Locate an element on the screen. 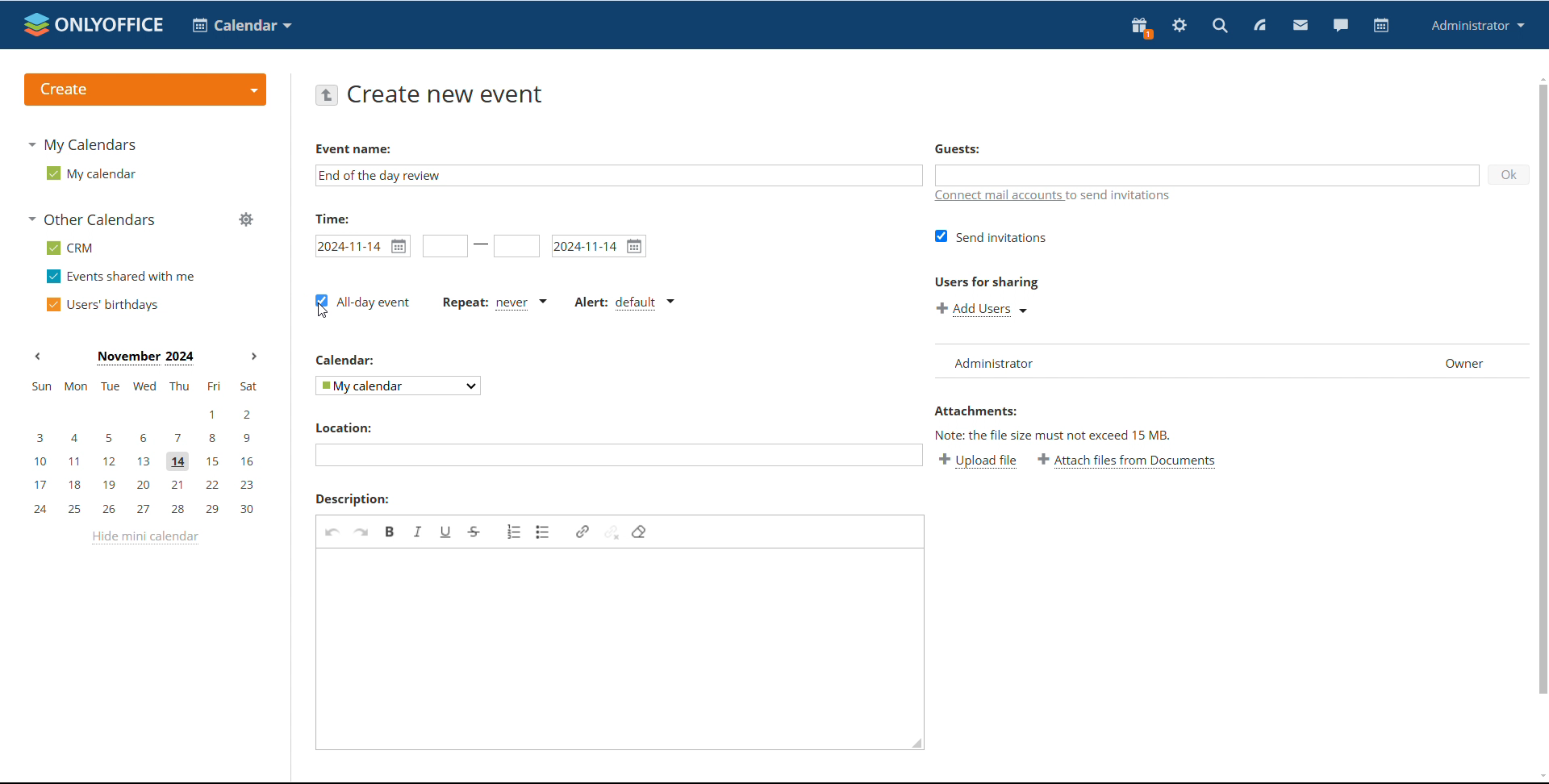 The width and height of the screenshot is (1549, 784). users for sharing is located at coordinates (987, 281).